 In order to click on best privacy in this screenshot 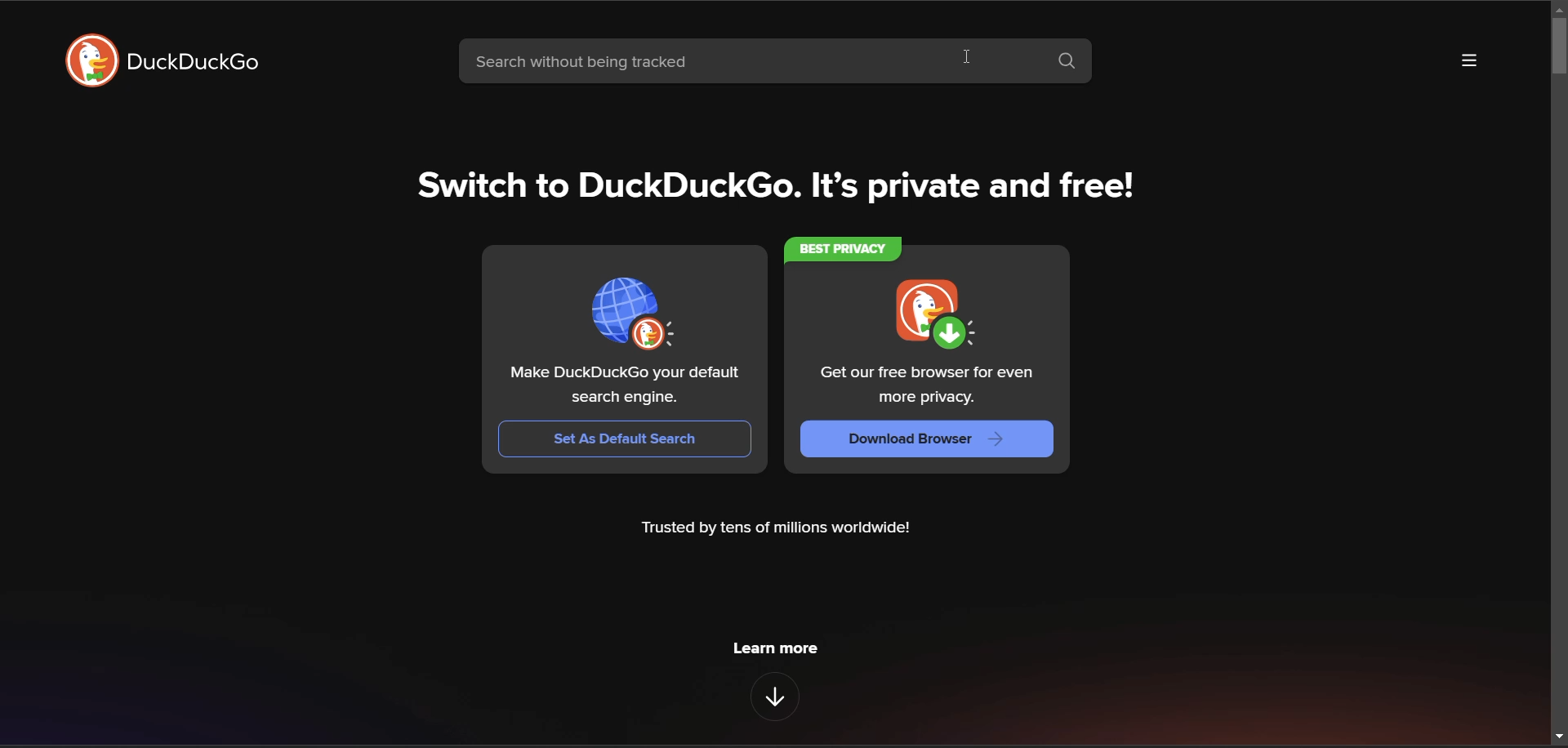, I will do `click(839, 250)`.